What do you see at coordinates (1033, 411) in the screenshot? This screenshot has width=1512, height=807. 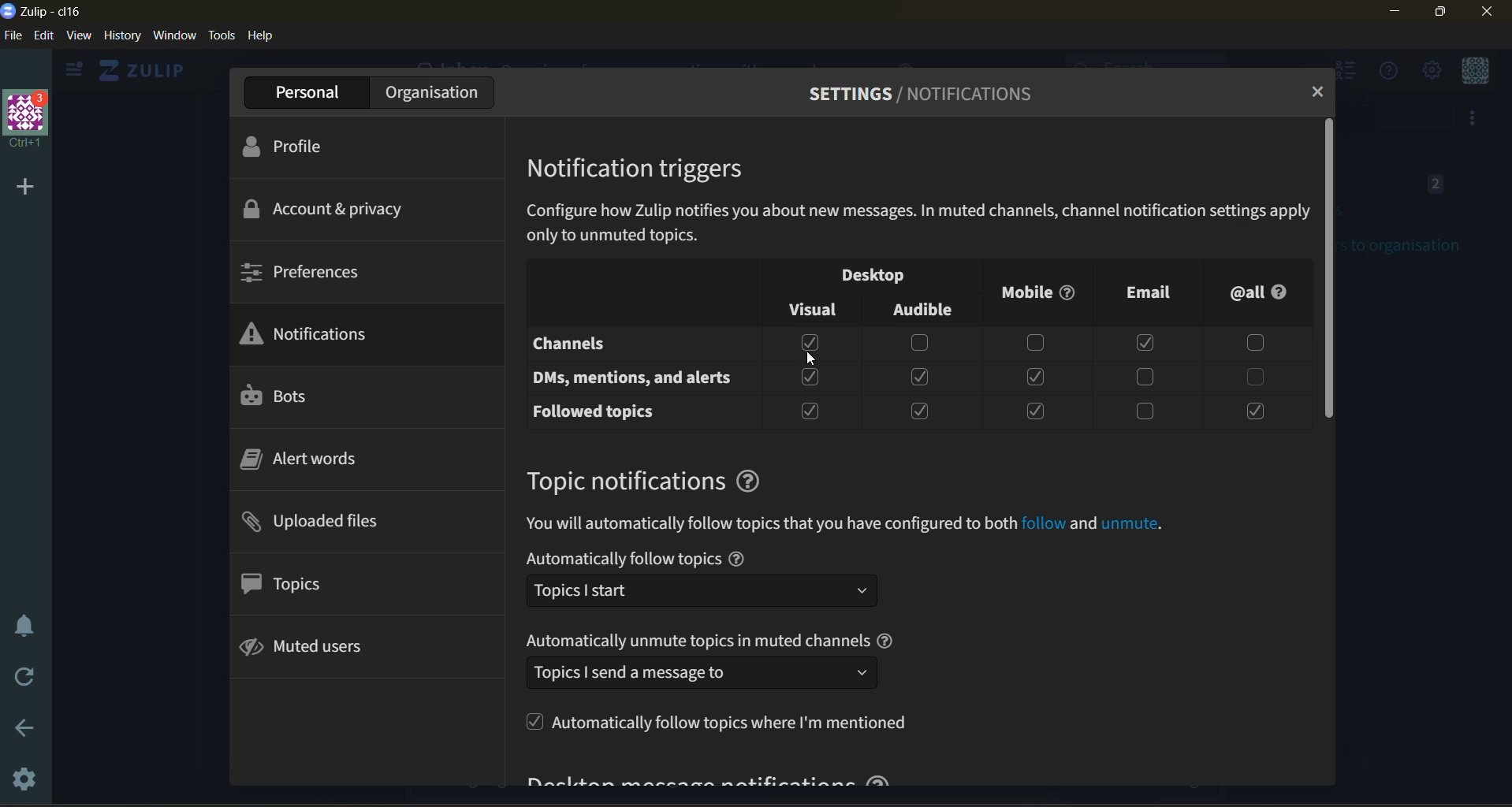 I see `checkbox` at bounding box center [1033, 411].